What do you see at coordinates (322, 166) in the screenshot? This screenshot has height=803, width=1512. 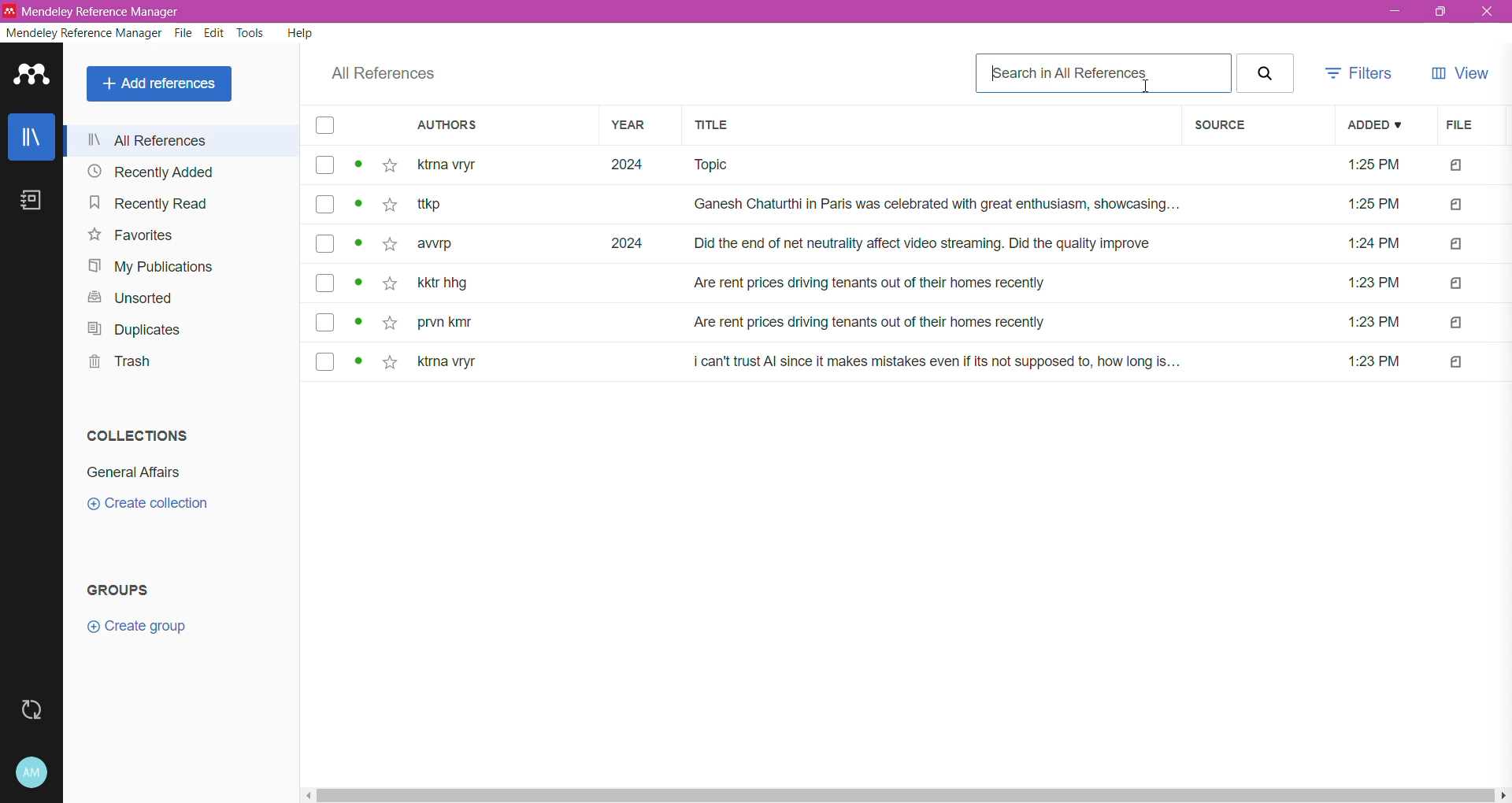 I see `select file` at bounding box center [322, 166].